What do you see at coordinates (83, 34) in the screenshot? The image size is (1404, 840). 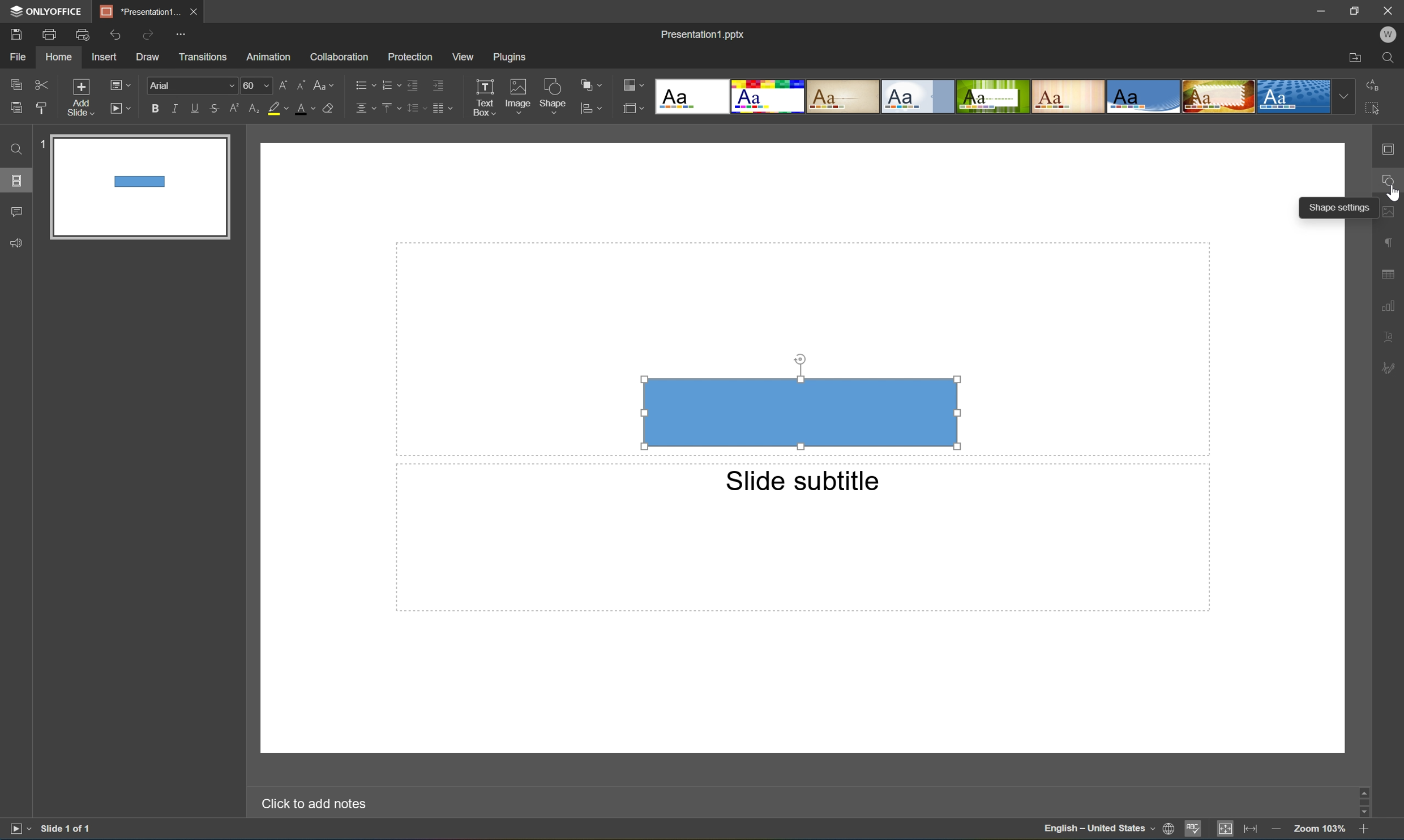 I see `Quick print` at bounding box center [83, 34].